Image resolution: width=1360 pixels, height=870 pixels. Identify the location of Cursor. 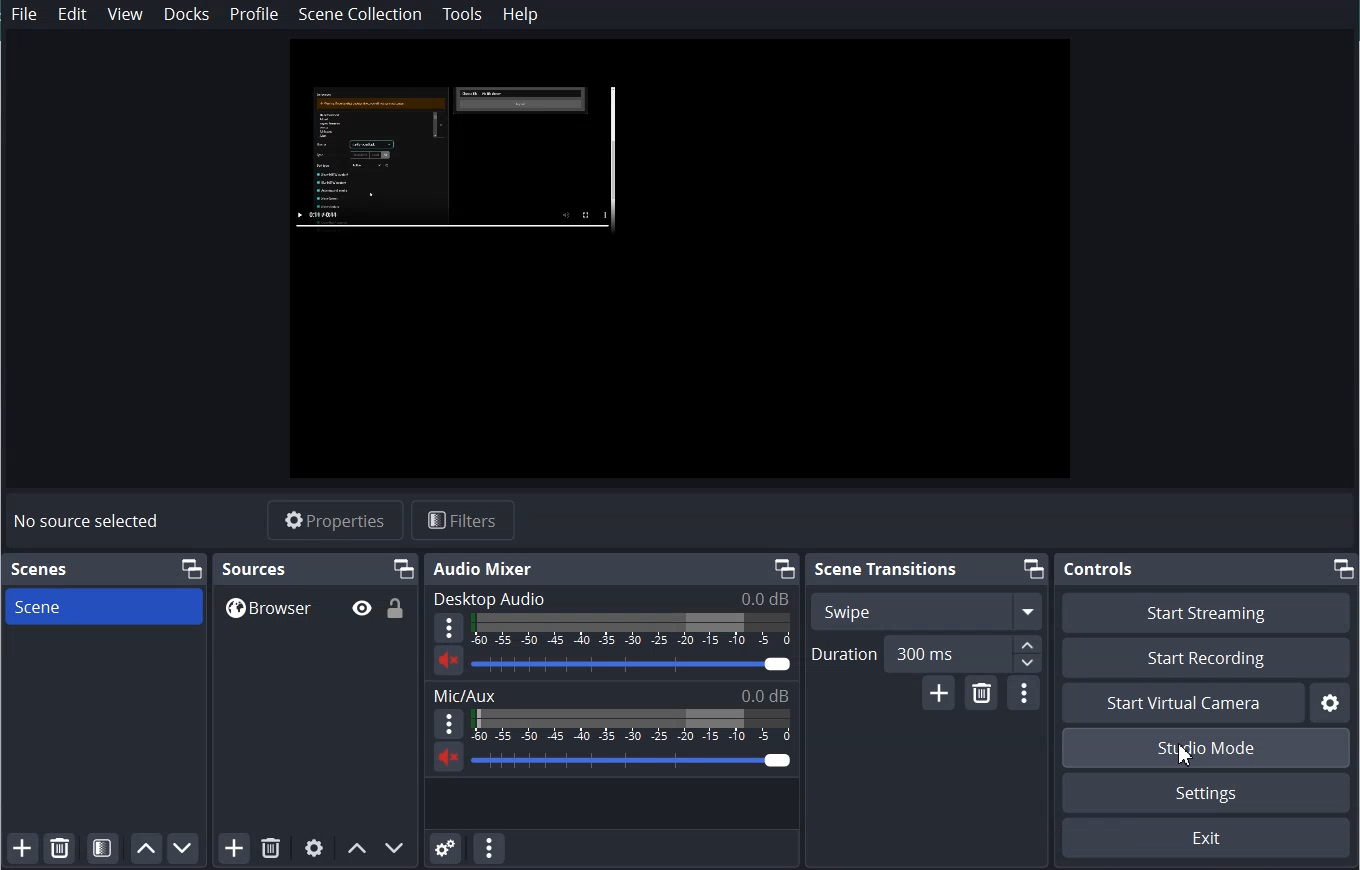
(1186, 752).